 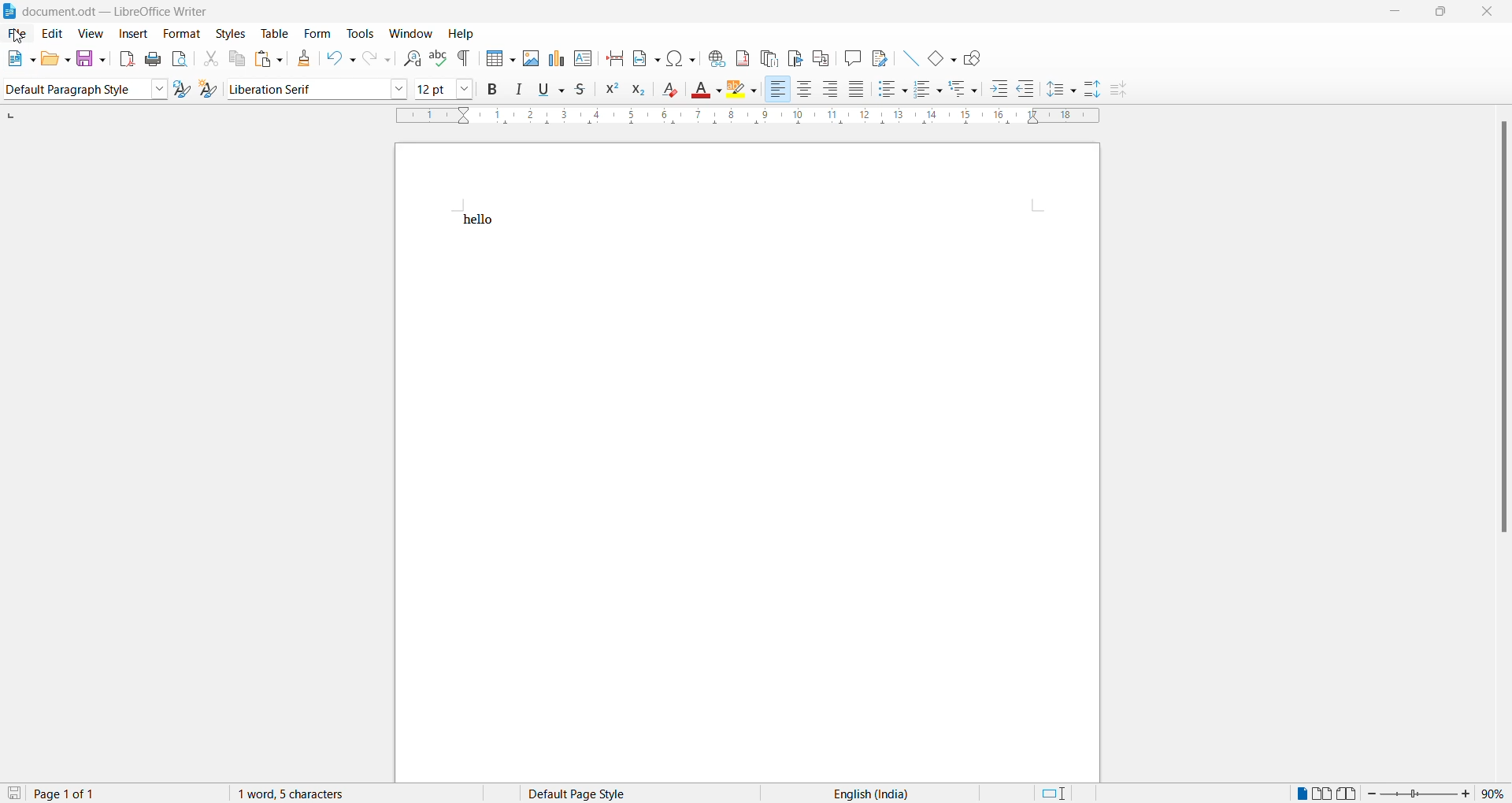 What do you see at coordinates (17, 33) in the screenshot?
I see `File` at bounding box center [17, 33].